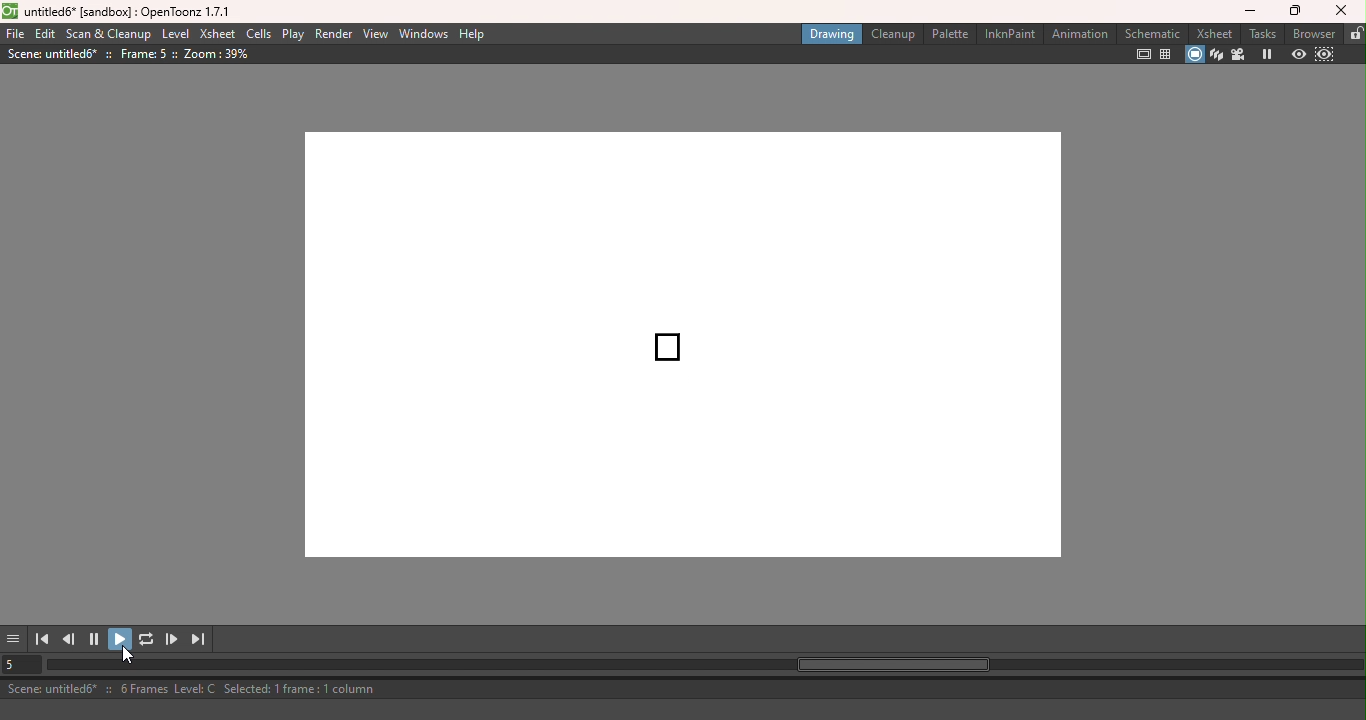  Describe the element at coordinates (21, 665) in the screenshot. I see `Set the current frame` at that location.